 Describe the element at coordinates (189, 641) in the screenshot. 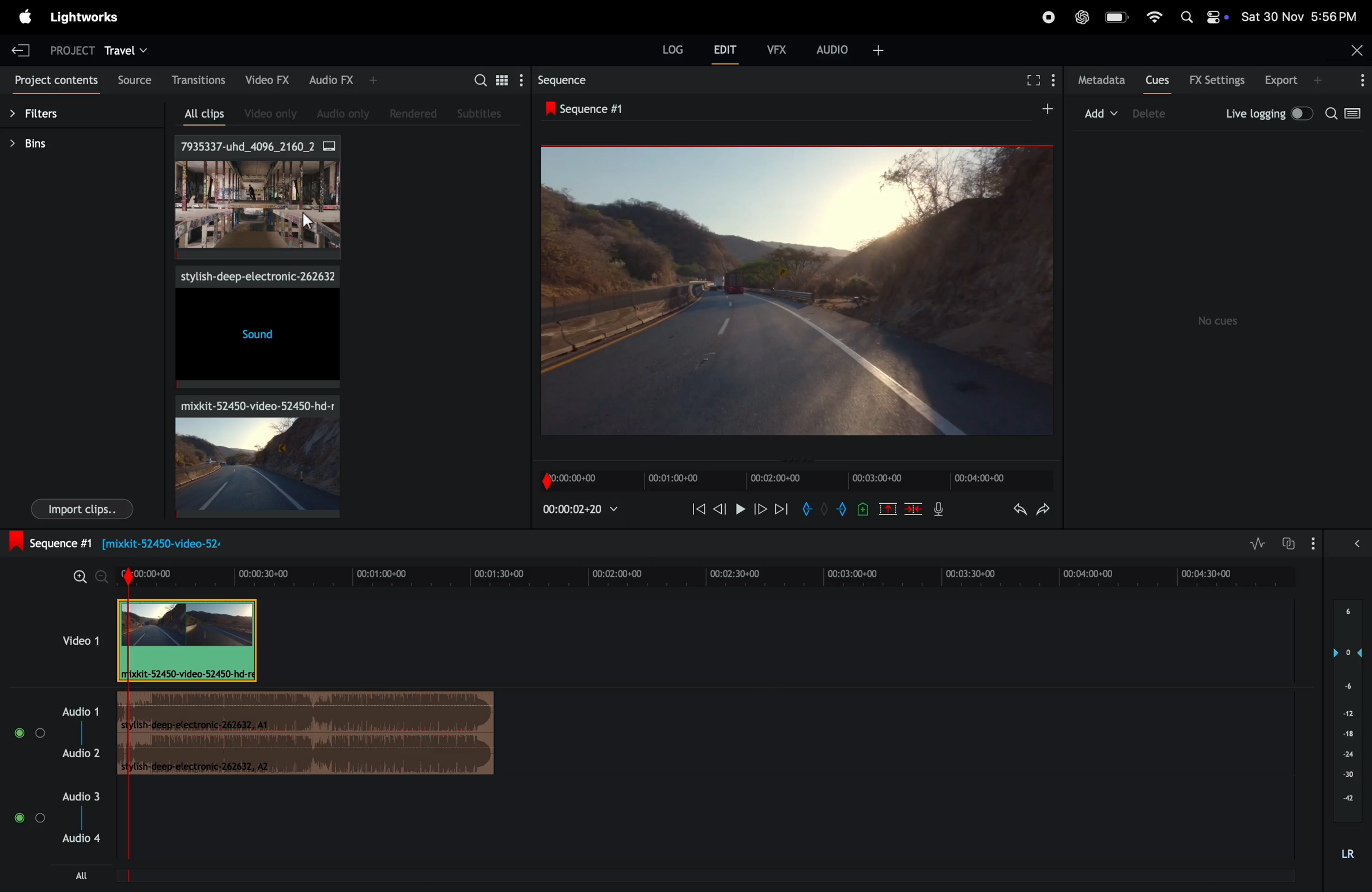

I see `video clip` at that location.